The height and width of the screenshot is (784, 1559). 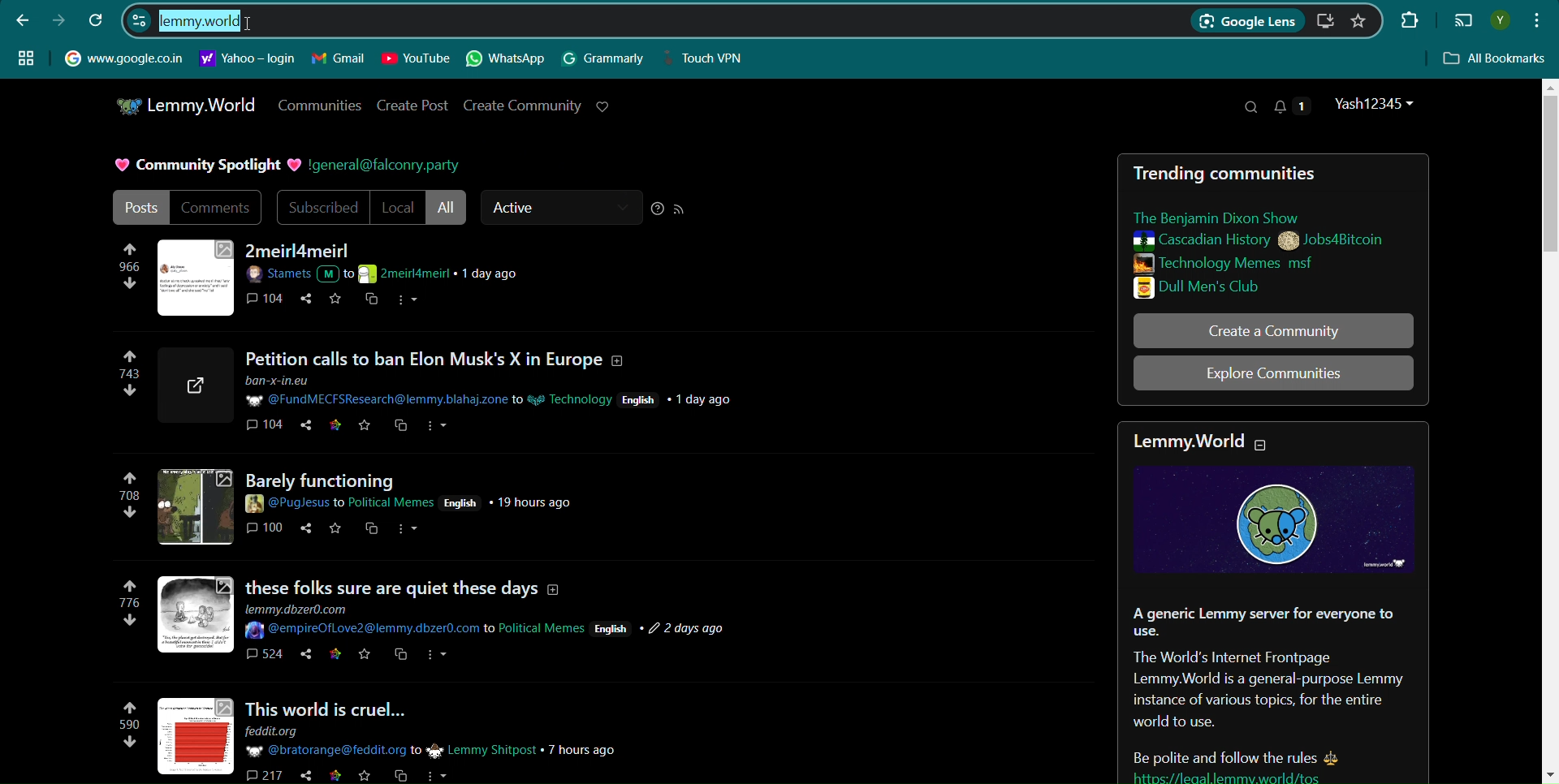 What do you see at coordinates (139, 207) in the screenshot?
I see `Post` at bounding box center [139, 207].